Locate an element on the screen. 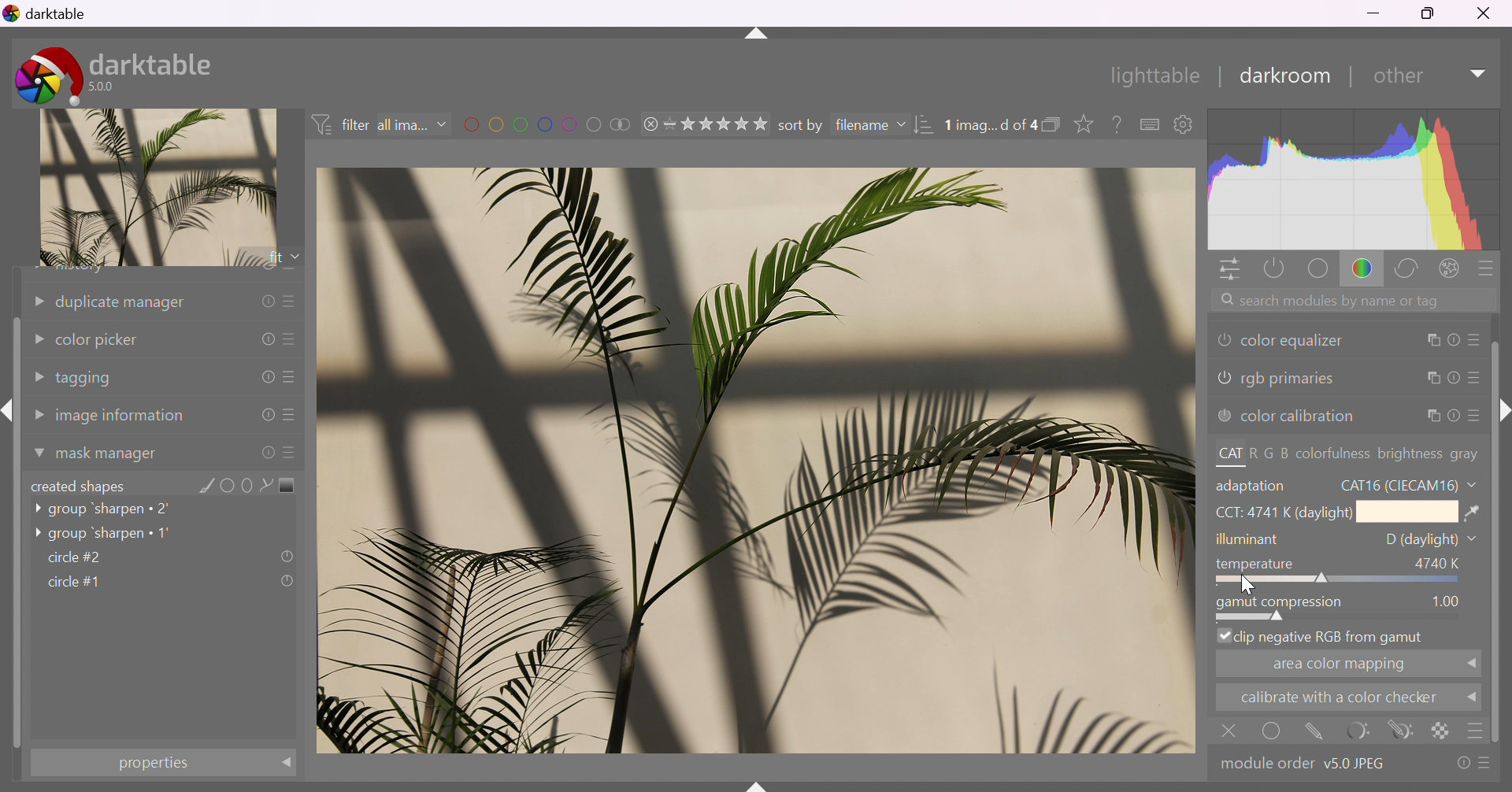  mask is located at coordinates (1309, 733).